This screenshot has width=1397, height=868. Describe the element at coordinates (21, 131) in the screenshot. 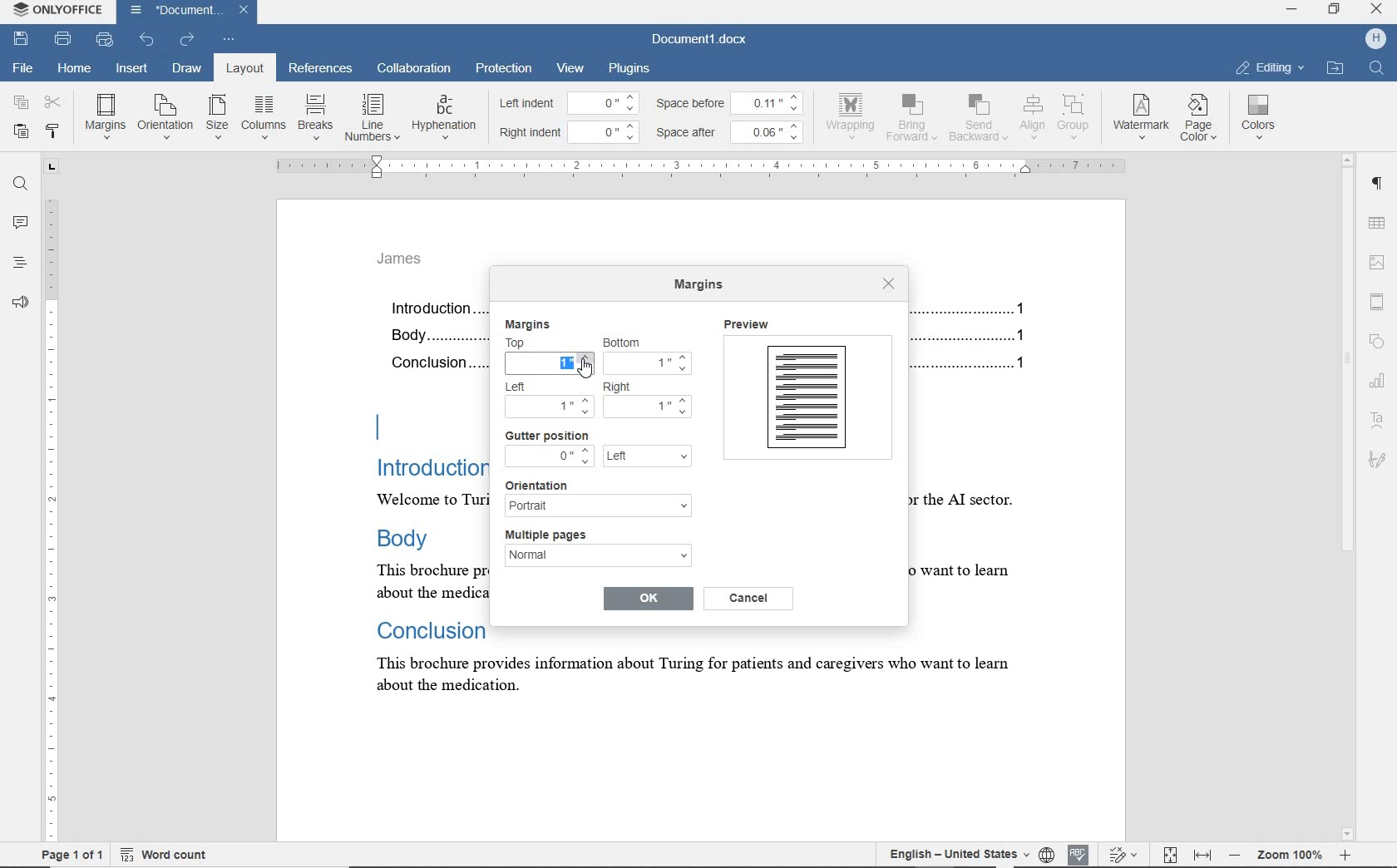

I see `paste` at that location.